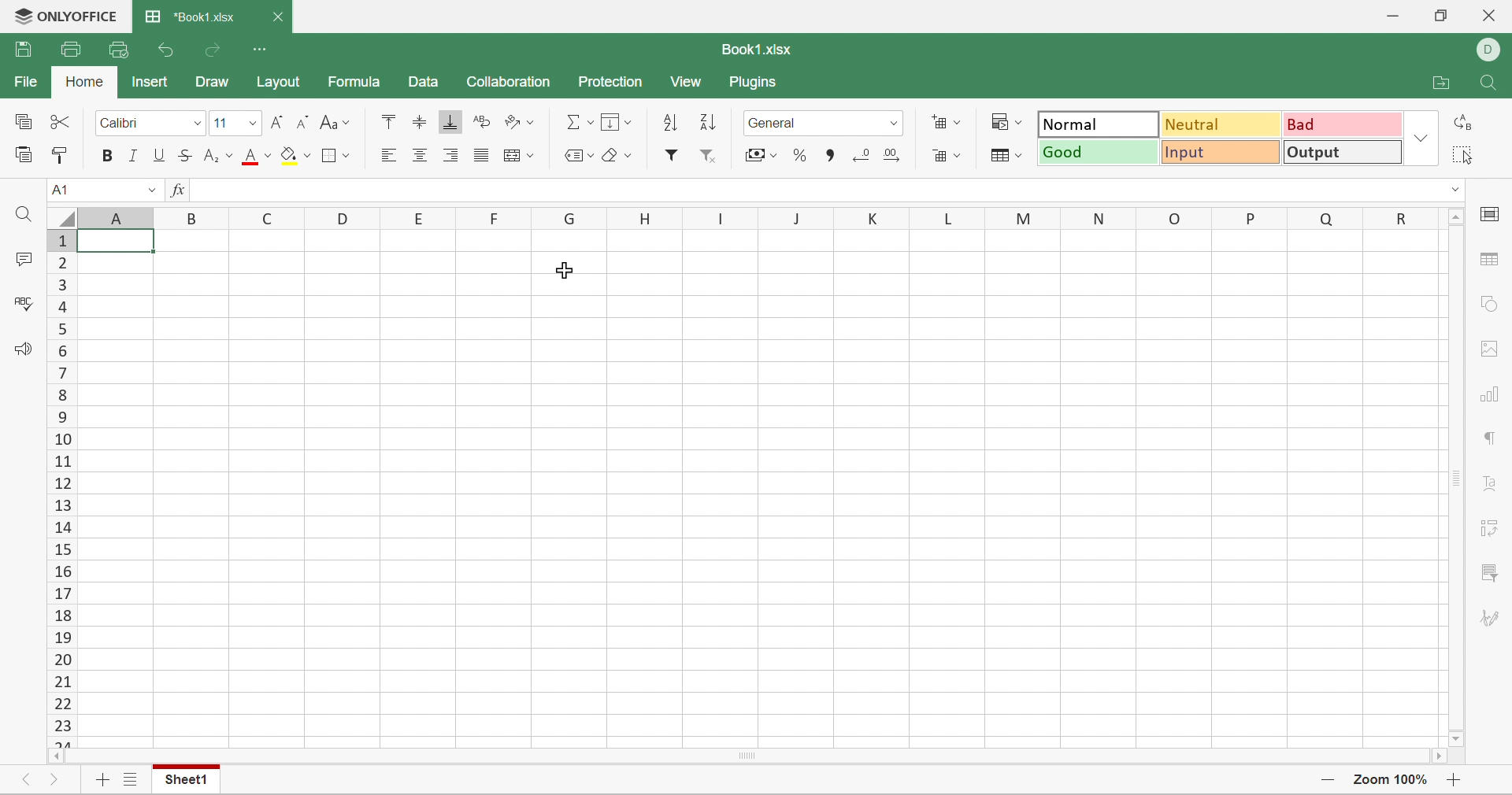  What do you see at coordinates (1223, 124) in the screenshot?
I see `Neutral` at bounding box center [1223, 124].